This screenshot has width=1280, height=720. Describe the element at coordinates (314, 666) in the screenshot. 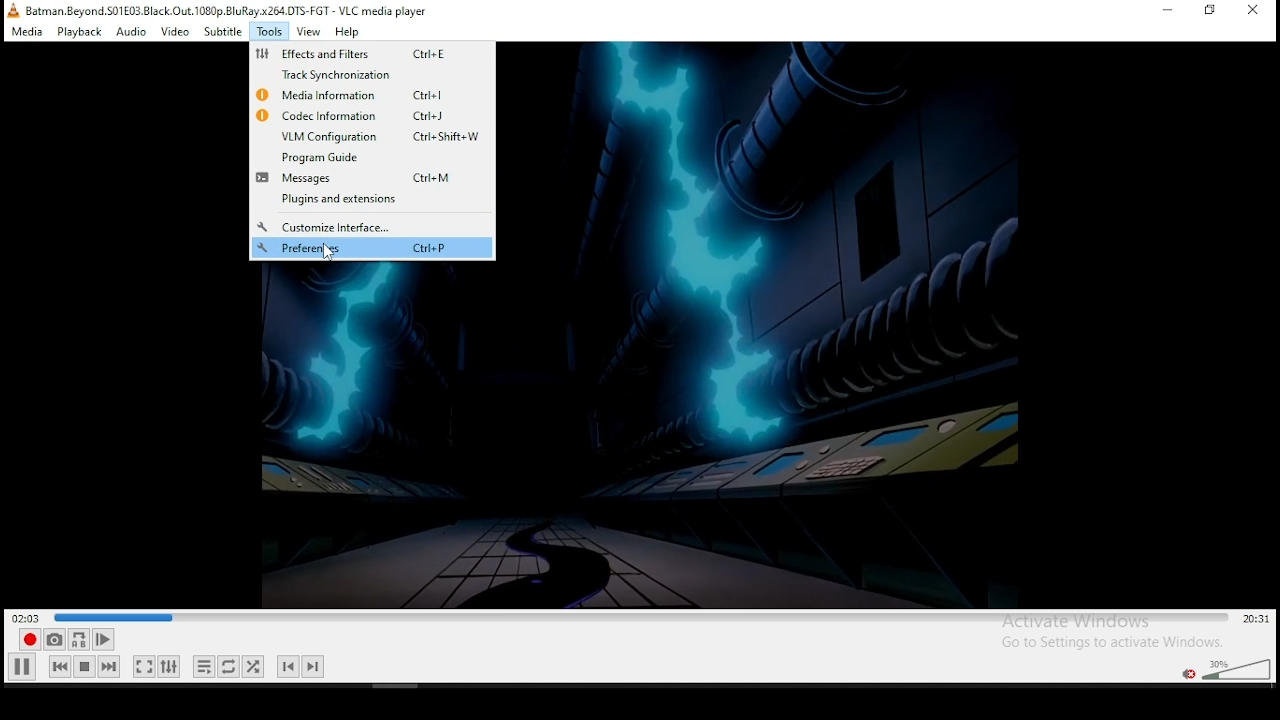

I see `next chapter` at that location.